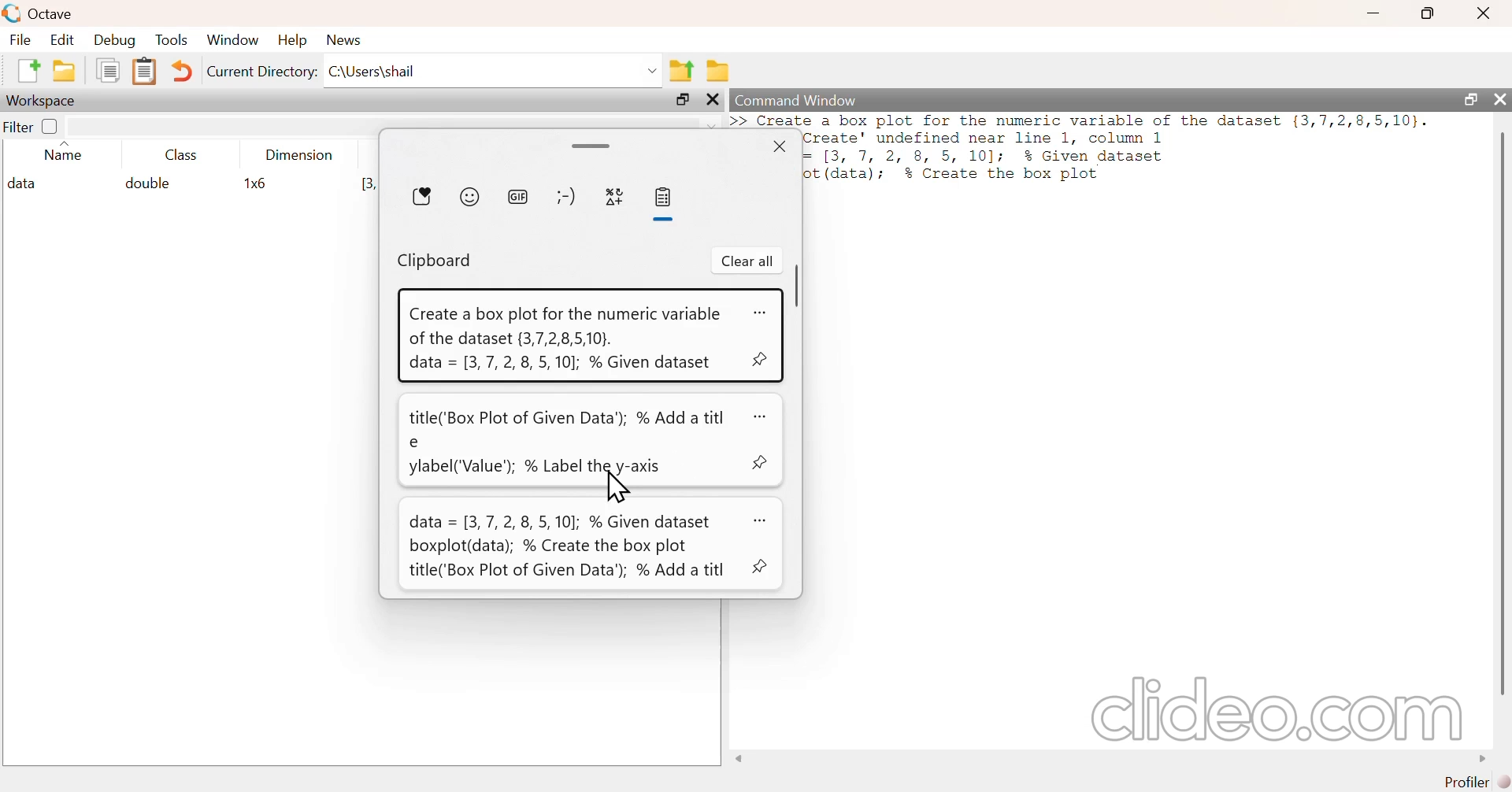 The height and width of the screenshot is (792, 1512). What do you see at coordinates (263, 72) in the screenshot?
I see `current directory` at bounding box center [263, 72].